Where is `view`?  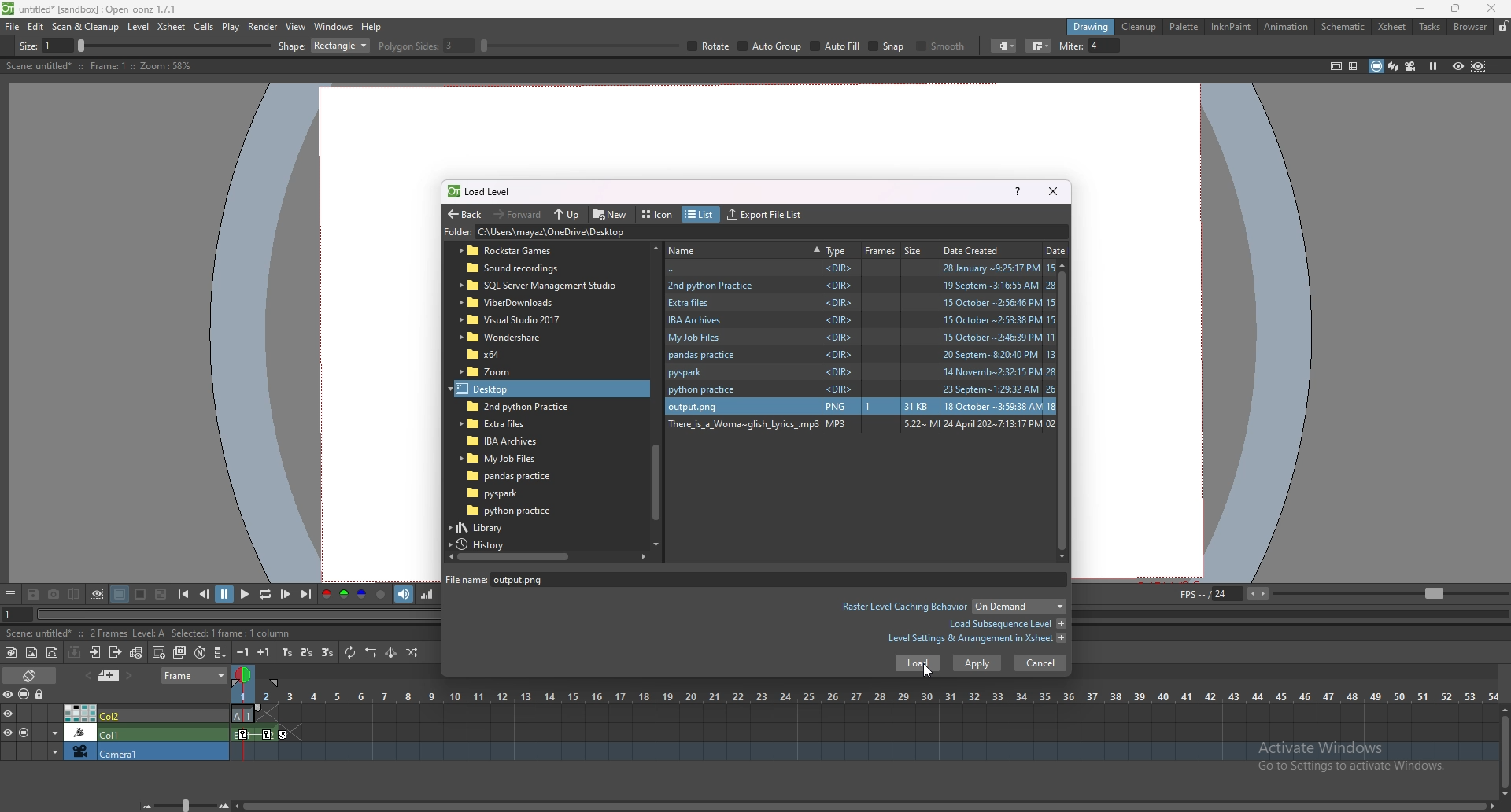 view is located at coordinates (296, 26).